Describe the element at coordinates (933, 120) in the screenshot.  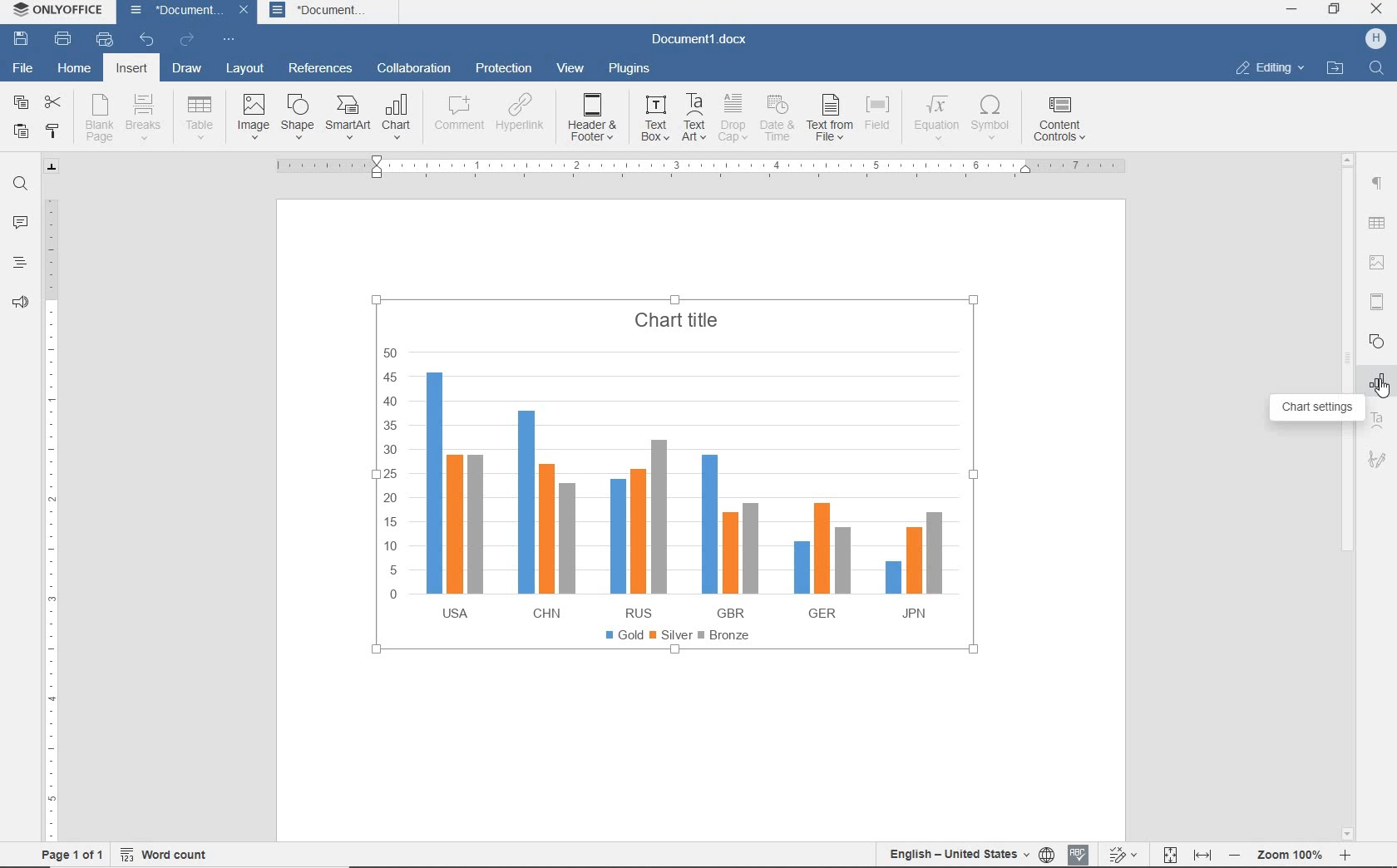
I see `equation` at that location.